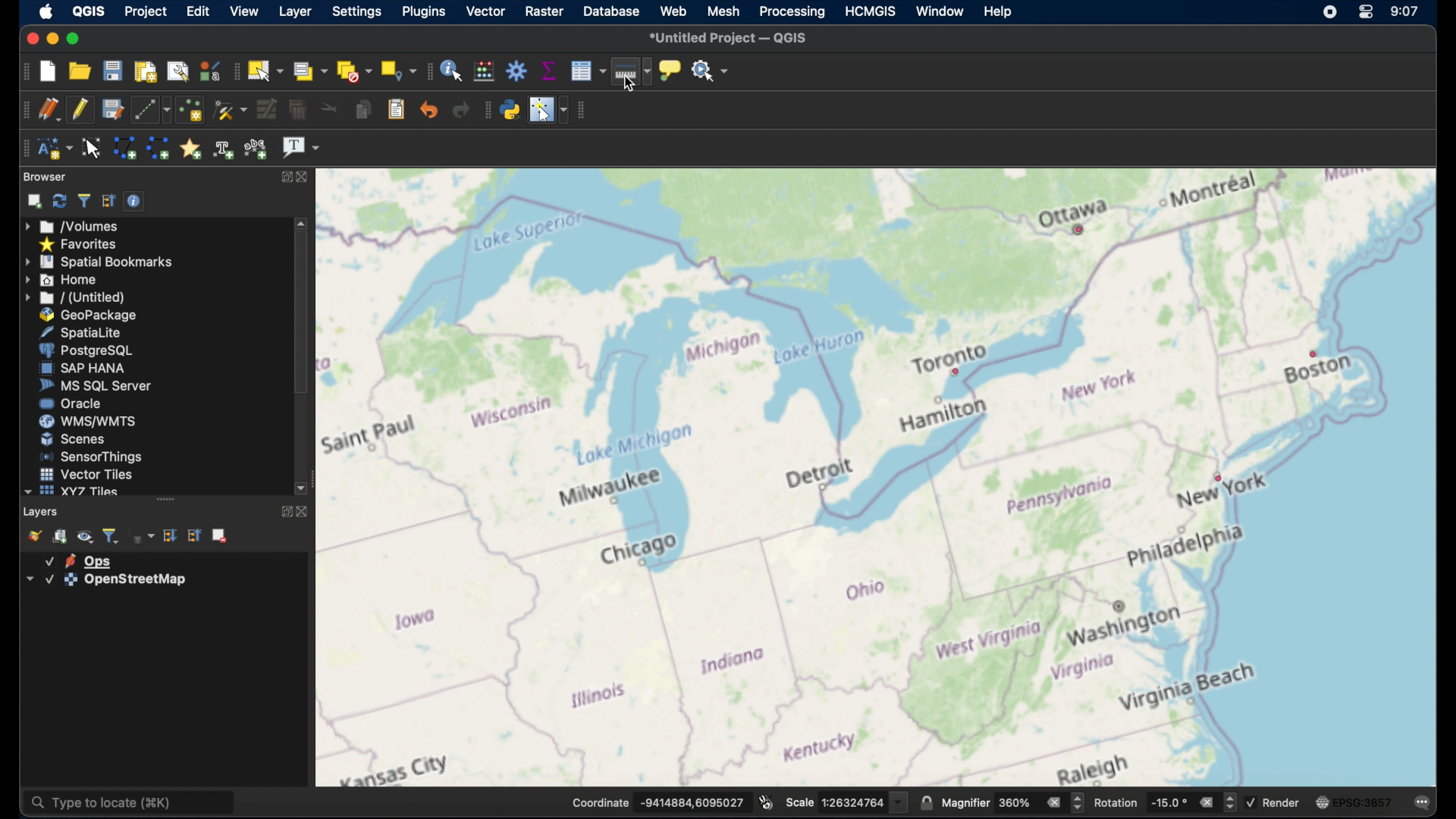 The image size is (1456, 819). What do you see at coordinates (102, 580) in the screenshot?
I see `layer` at bounding box center [102, 580].